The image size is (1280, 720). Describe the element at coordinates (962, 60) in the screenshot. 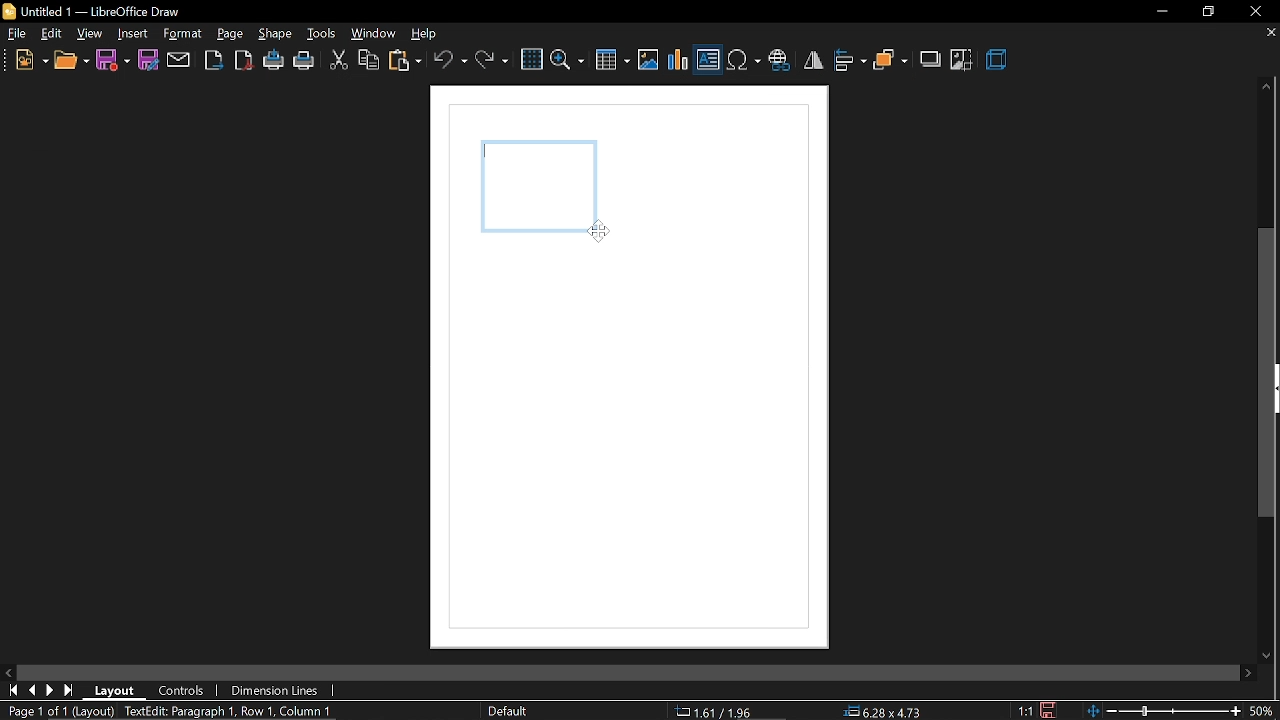

I see `crop` at that location.